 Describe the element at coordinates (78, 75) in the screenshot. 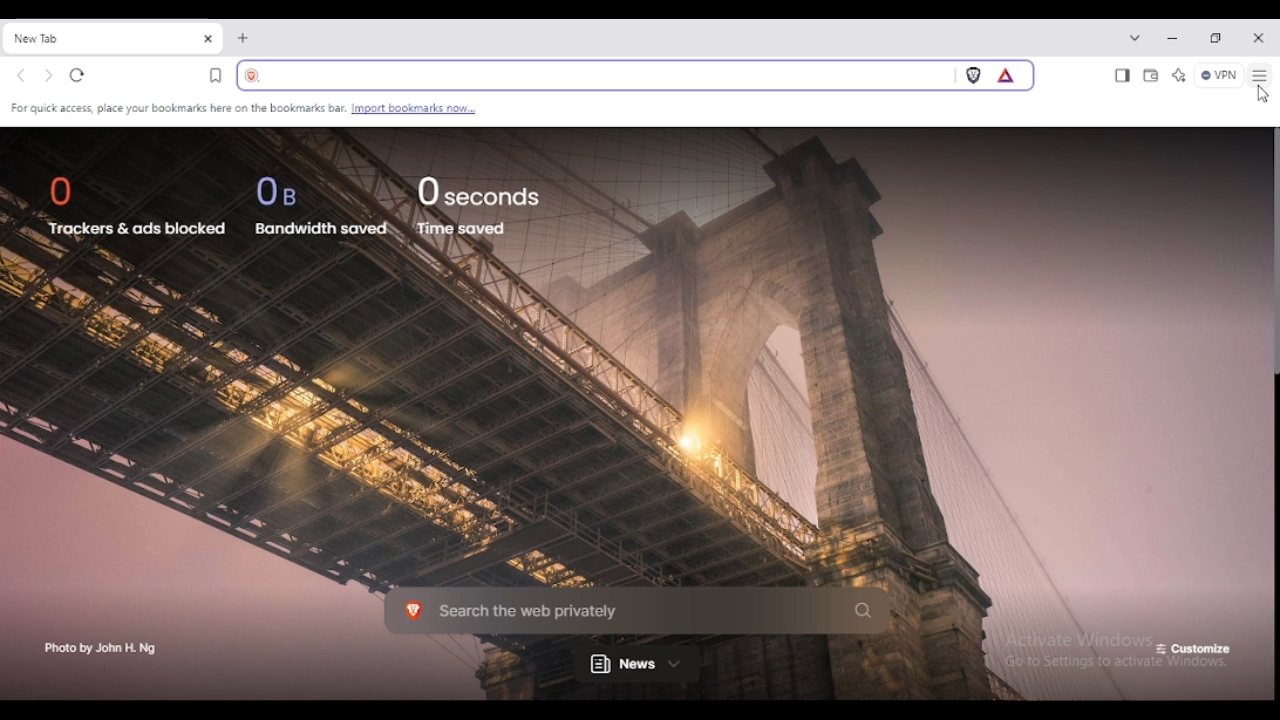

I see `reload this page` at that location.